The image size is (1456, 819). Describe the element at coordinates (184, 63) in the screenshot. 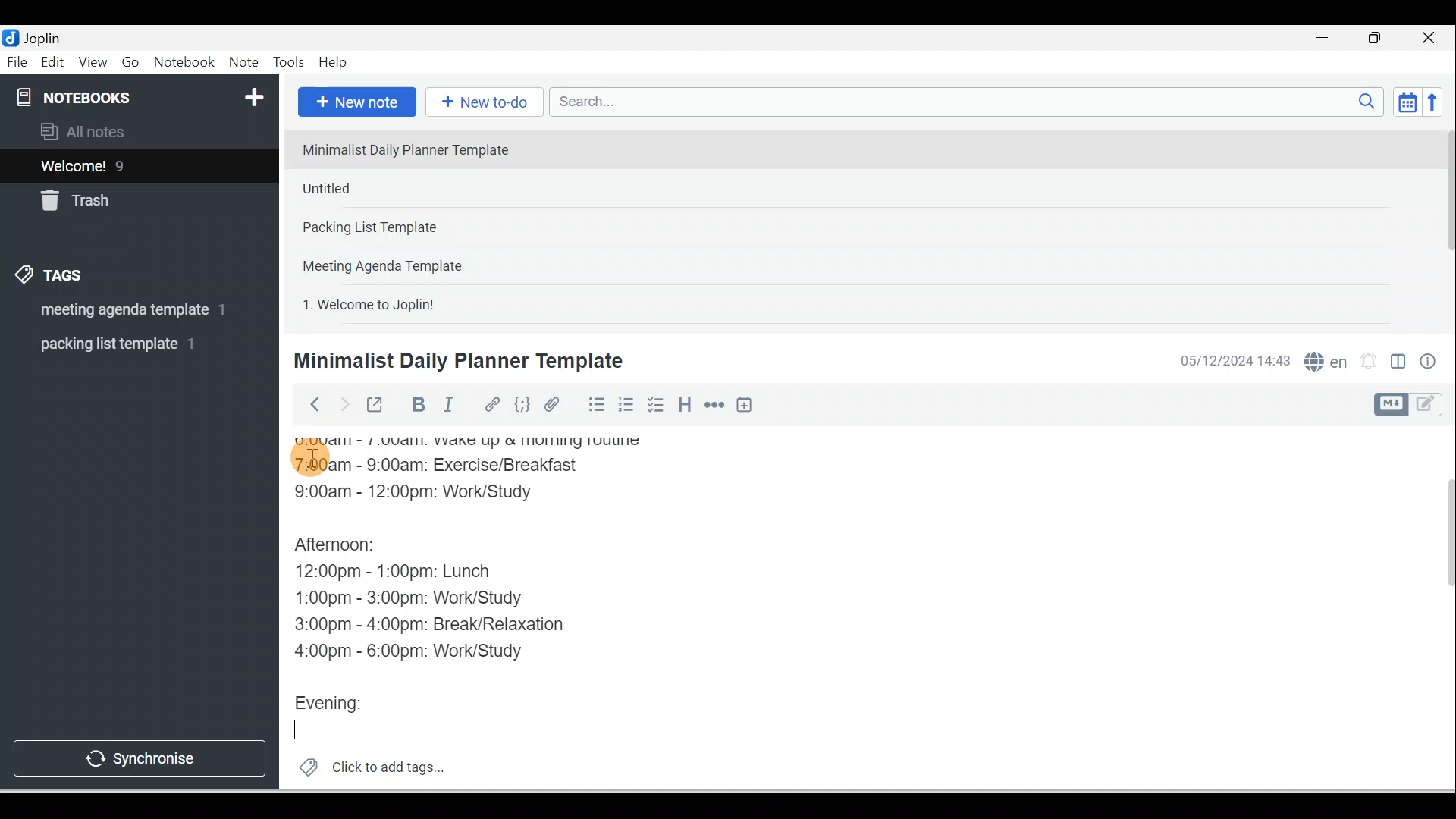

I see `Notebook` at that location.